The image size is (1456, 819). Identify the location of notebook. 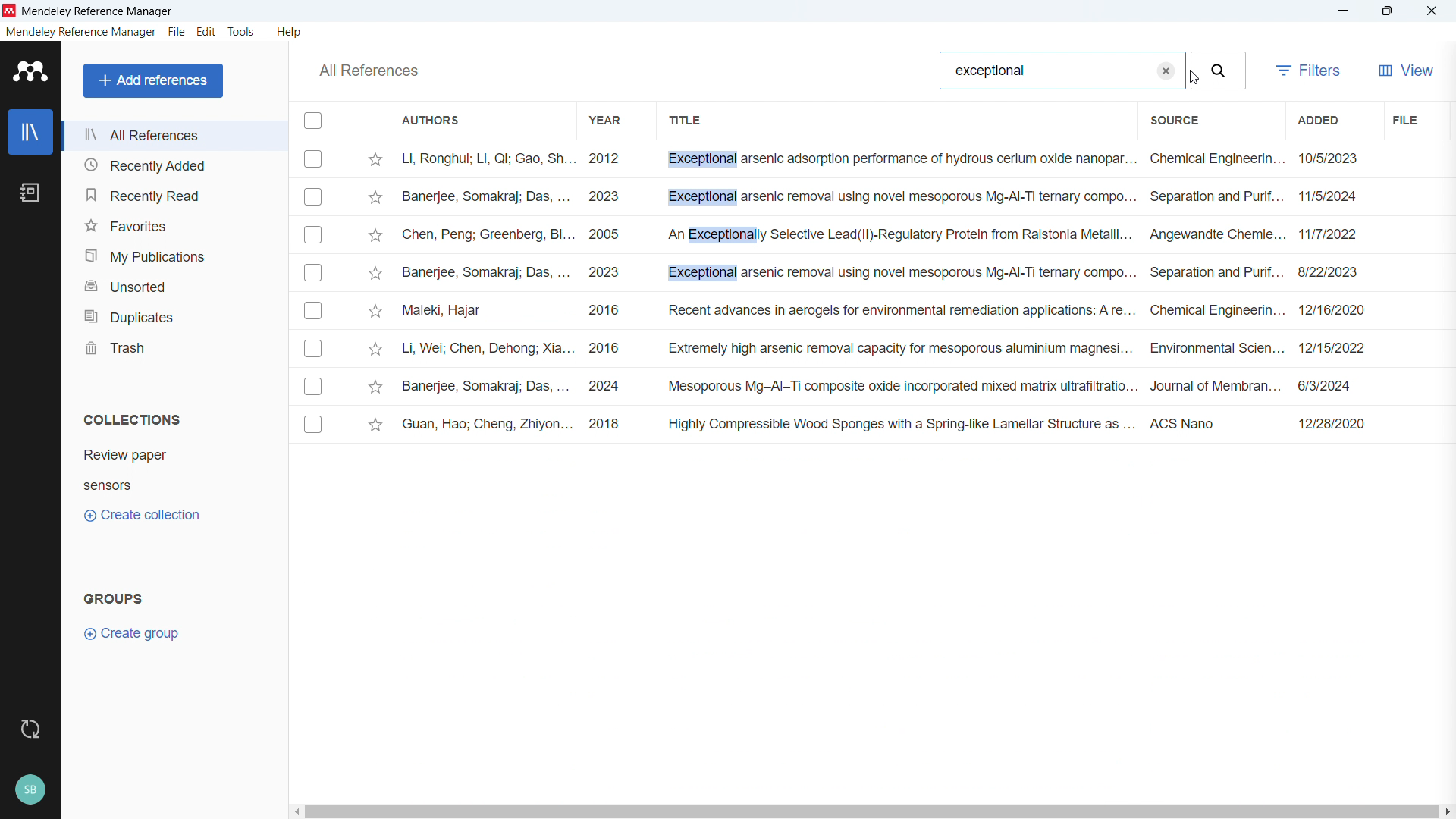
(30, 193).